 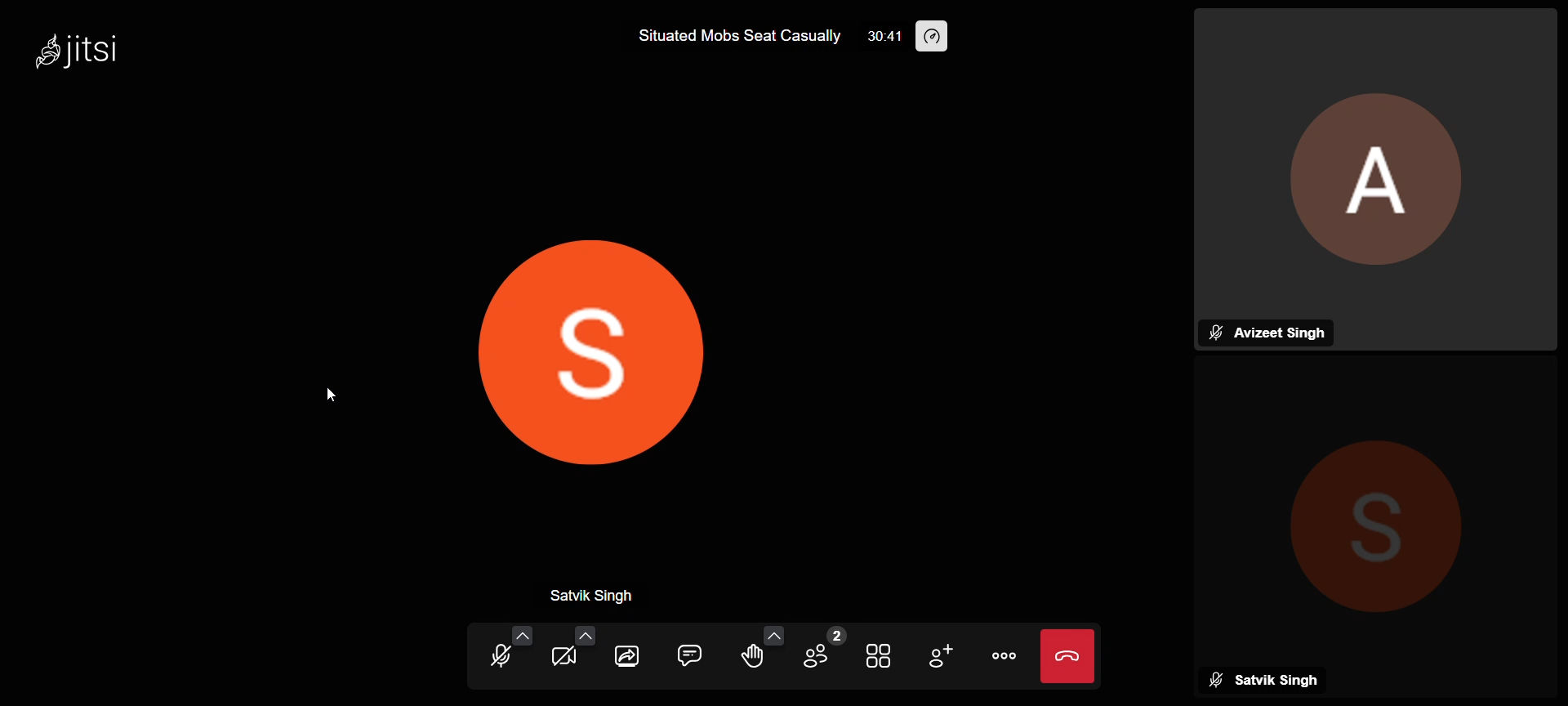 I want to click on performance setting, so click(x=944, y=35).